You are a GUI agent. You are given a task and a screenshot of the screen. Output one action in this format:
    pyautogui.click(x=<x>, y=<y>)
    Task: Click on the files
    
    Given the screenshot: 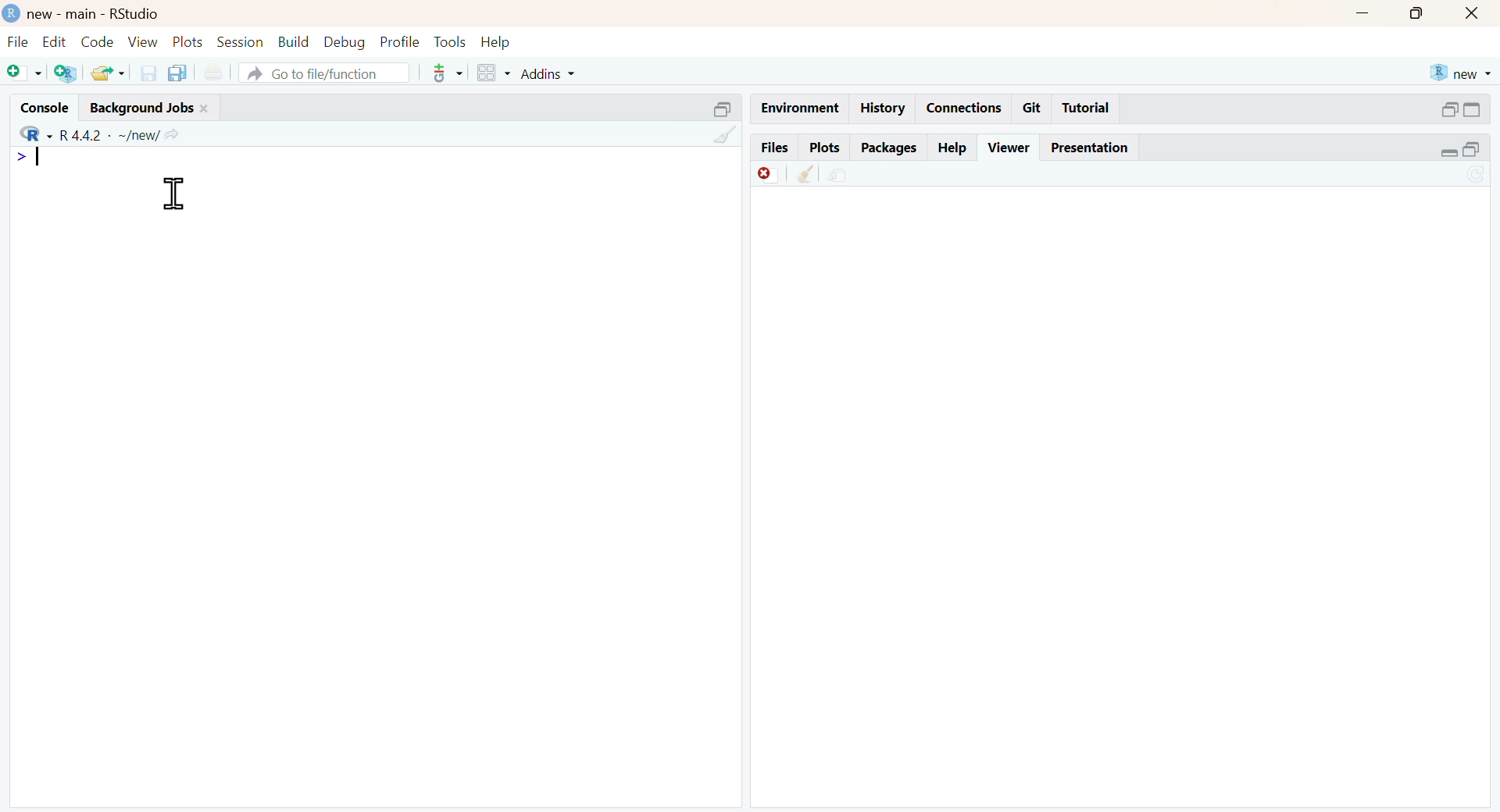 What is the action you would take?
    pyautogui.click(x=775, y=147)
    